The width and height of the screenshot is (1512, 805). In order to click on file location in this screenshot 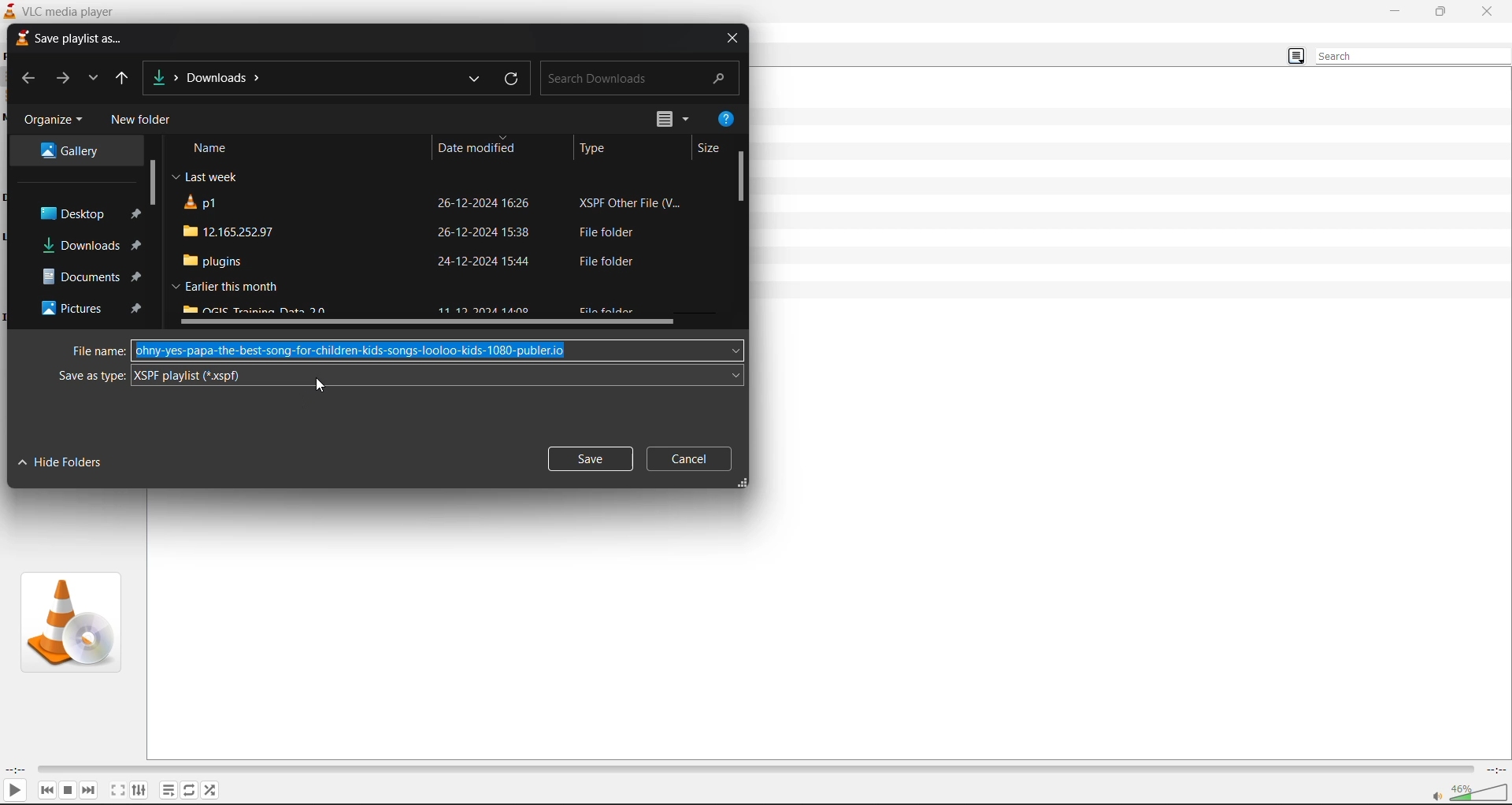, I will do `click(216, 78)`.